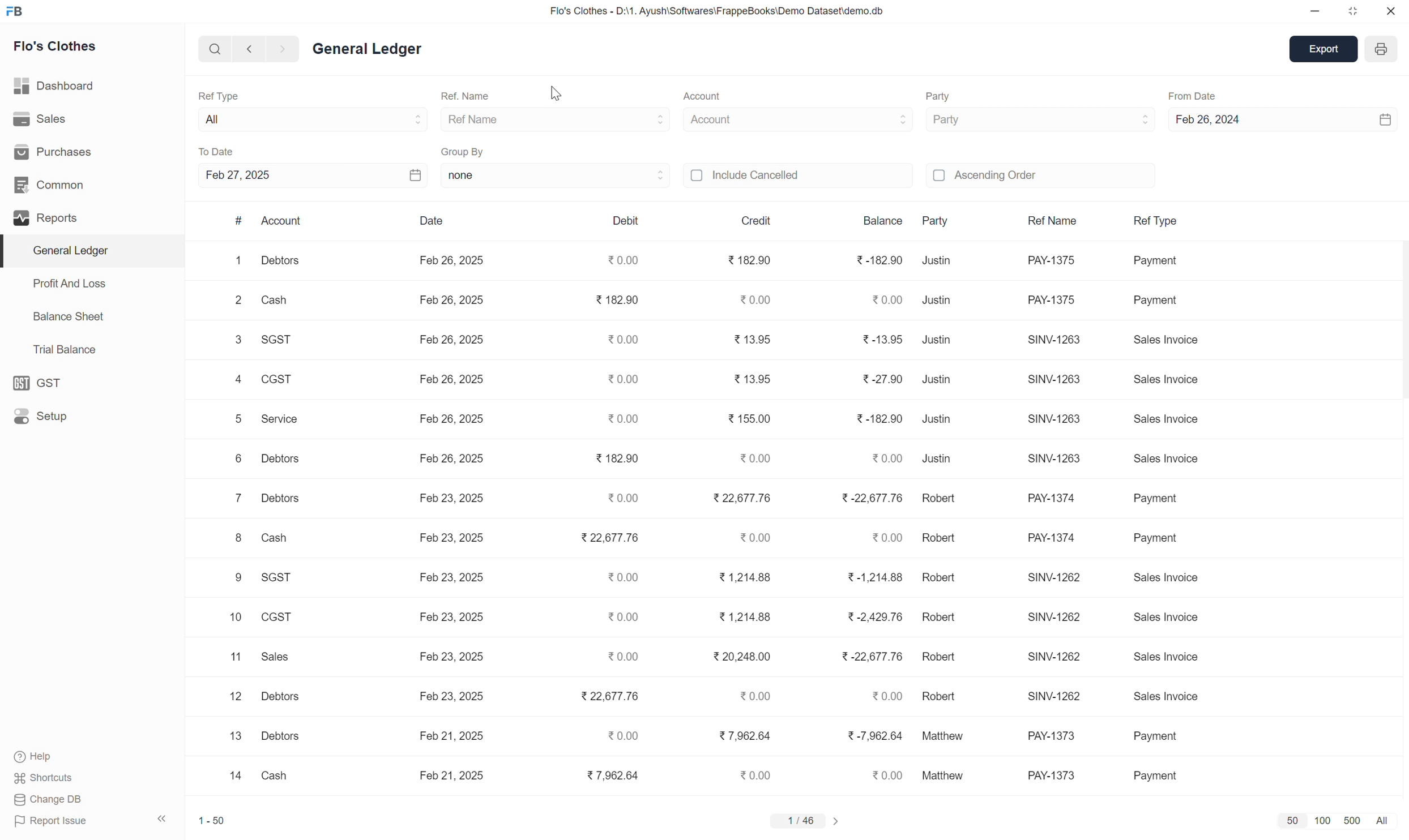 The width and height of the screenshot is (1409, 840). What do you see at coordinates (757, 302) in the screenshot?
I see `0.00` at bounding box center [757, 302].